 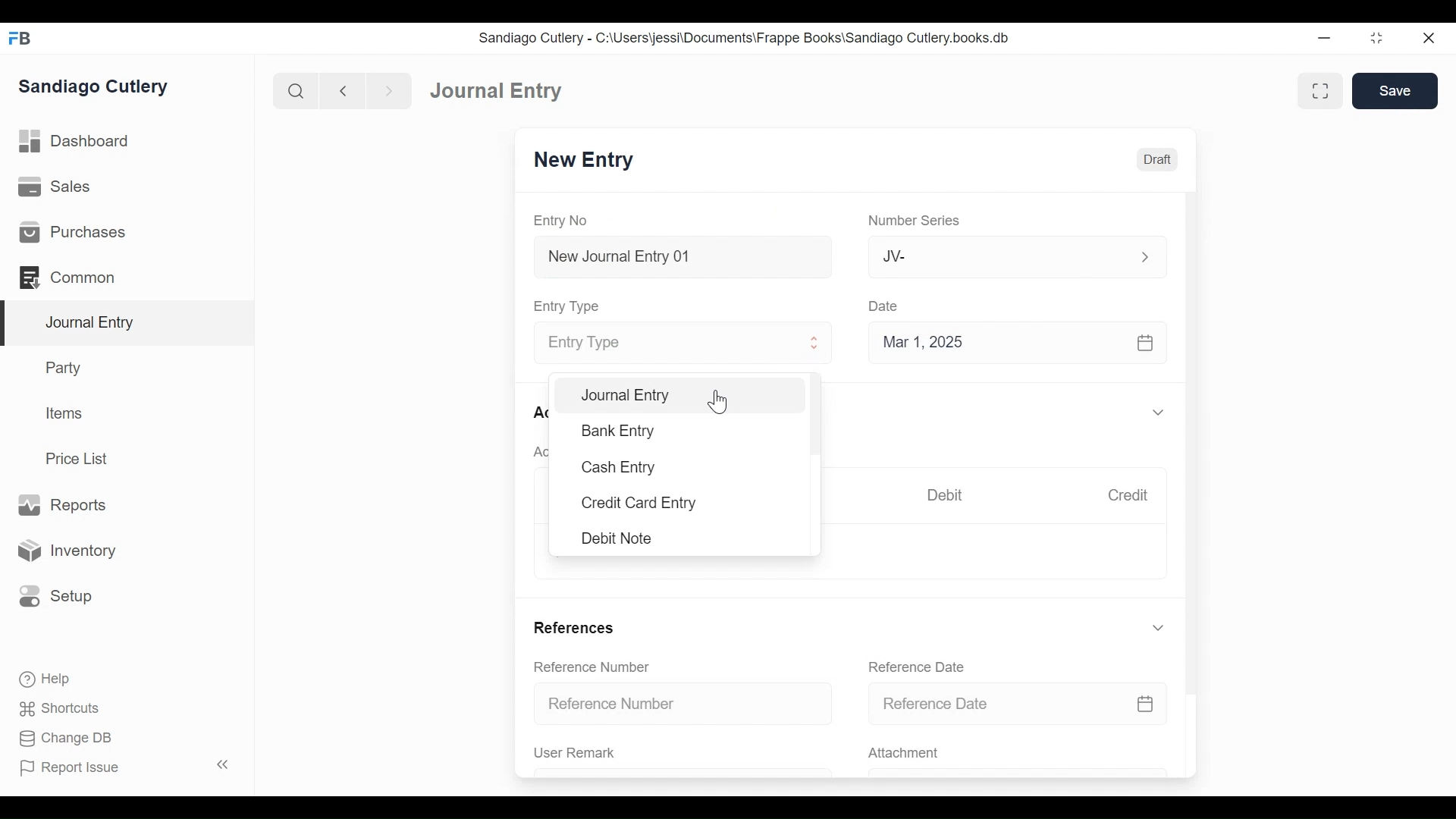 What do you see at coordinates (1159, 626) in the screenshot?
I see `expand/collapse` at bounding box center [1159, 626].